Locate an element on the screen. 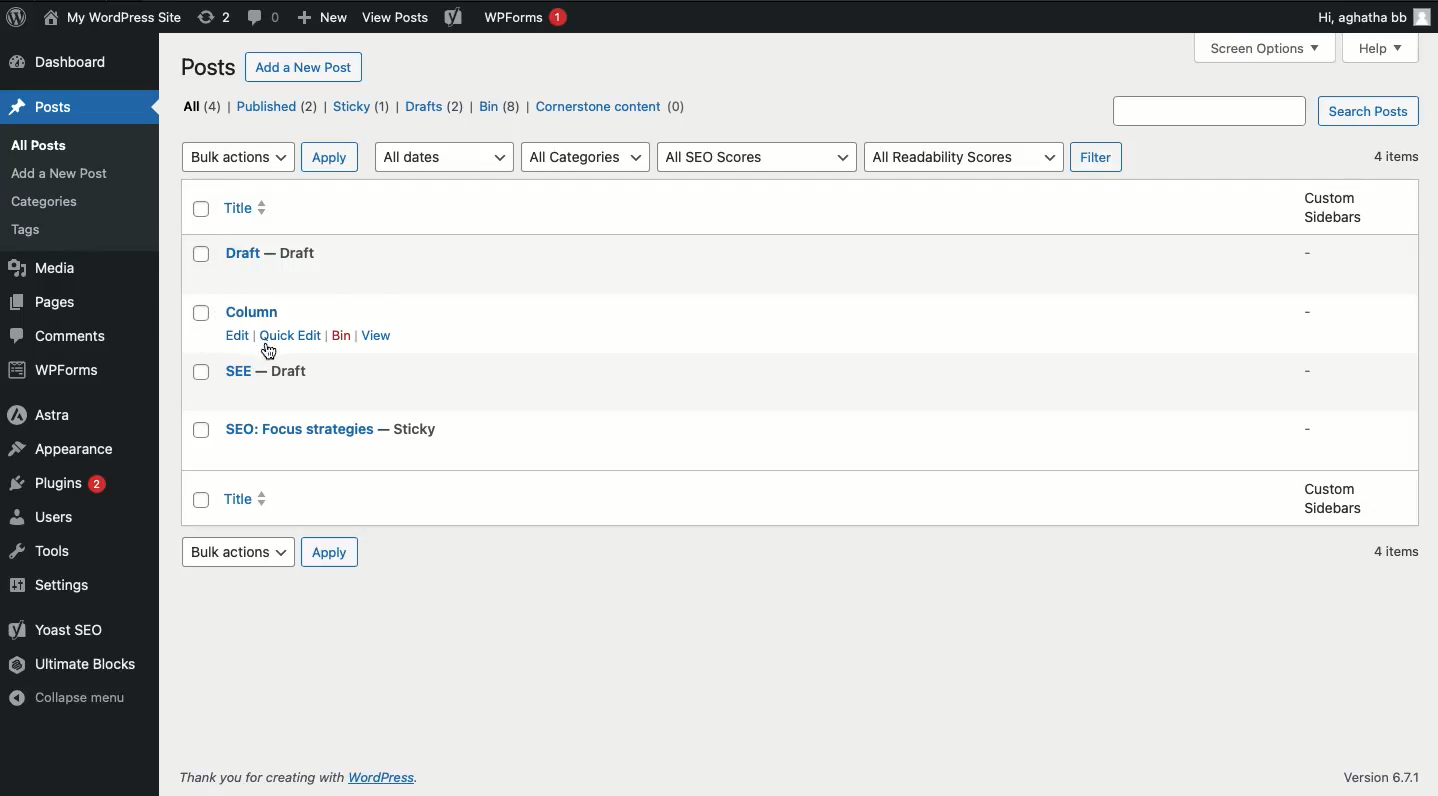 This screenshot has height=796, width=1438. Astra is located at coordinates (39, 415).